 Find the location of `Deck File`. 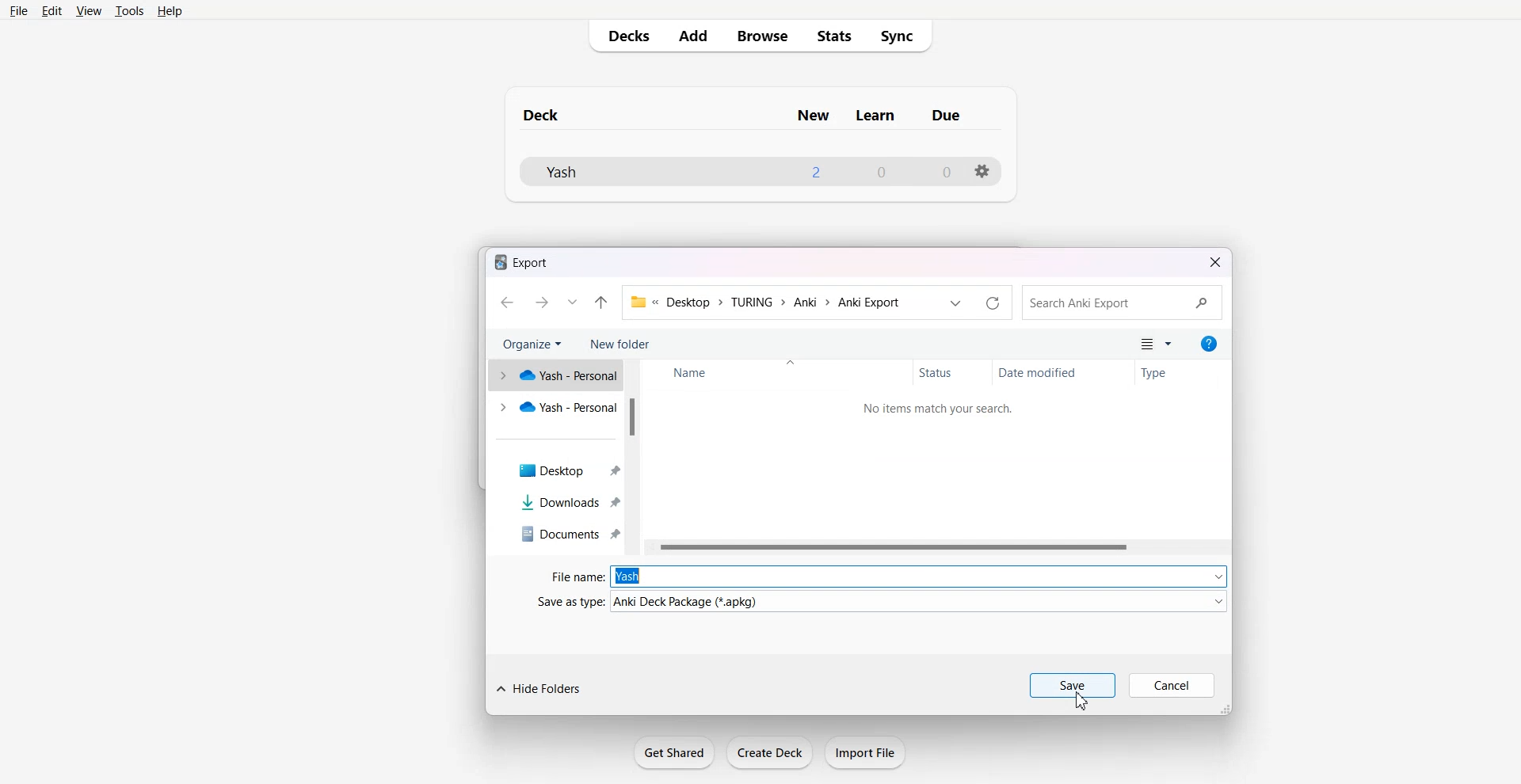

Deck File is located at coordinates (608, 172).